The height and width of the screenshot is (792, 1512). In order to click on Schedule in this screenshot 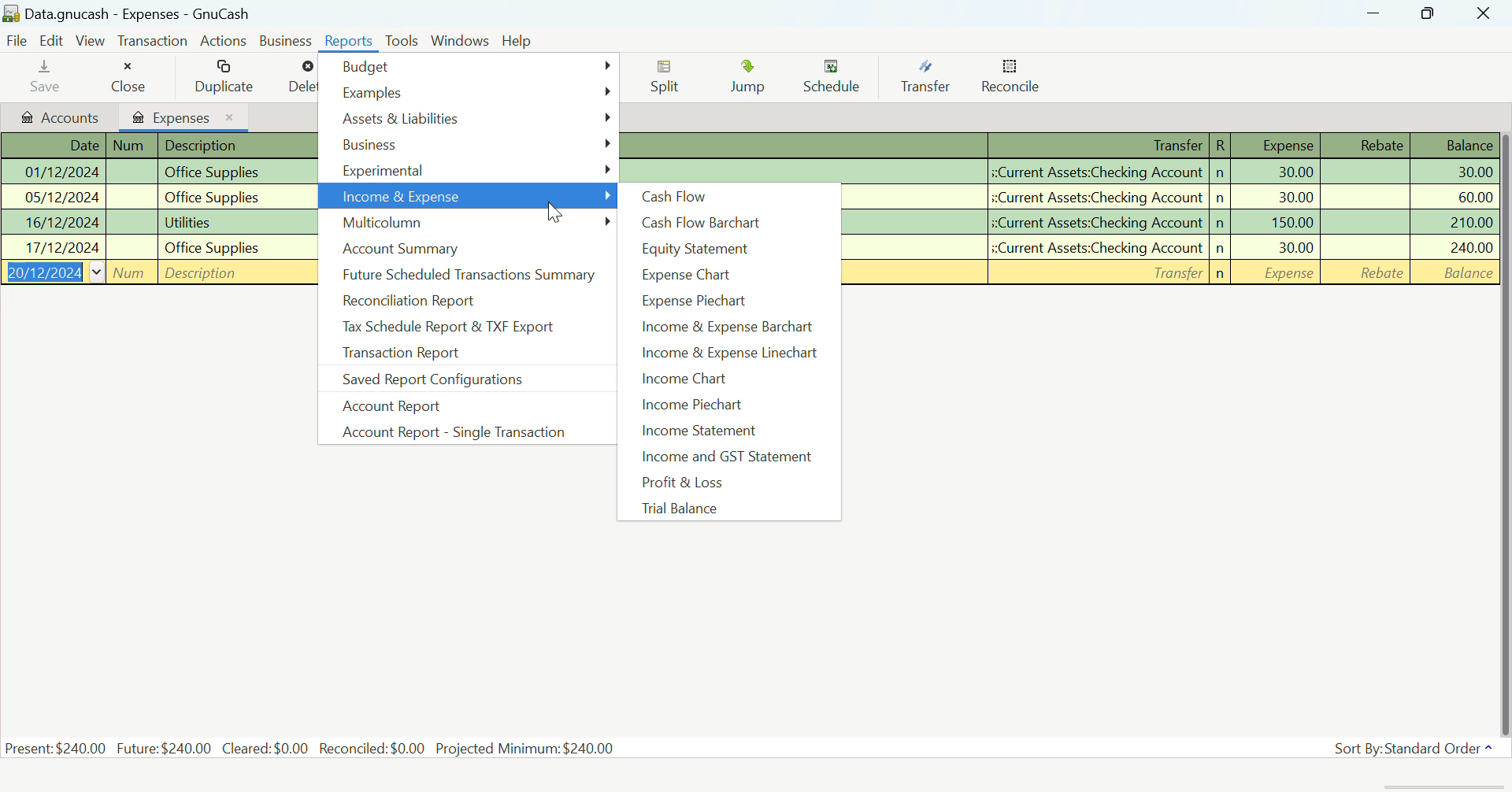, I will do `click(833, 80)`.